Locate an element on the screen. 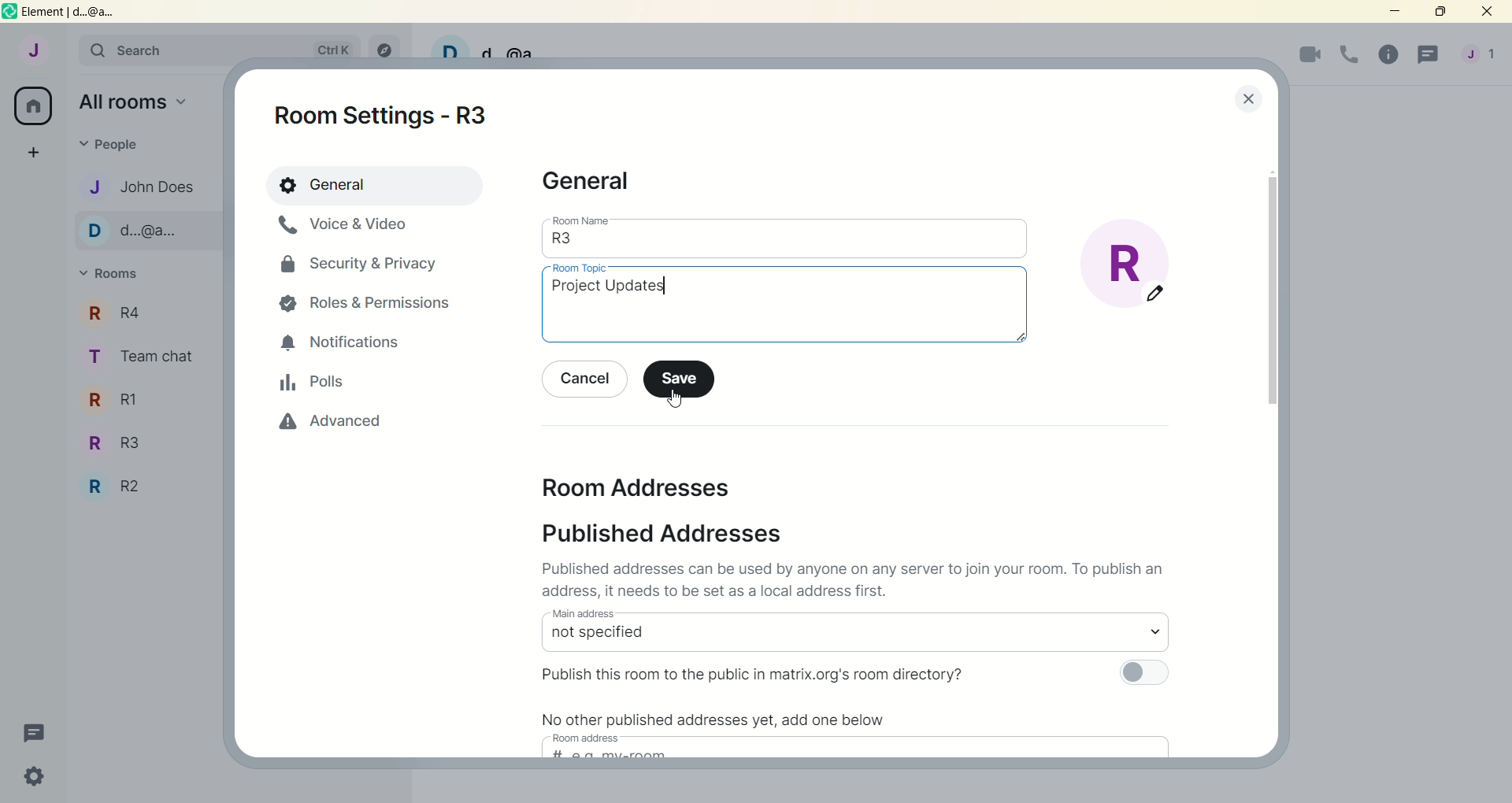  save is located at coordinates (679, 379).